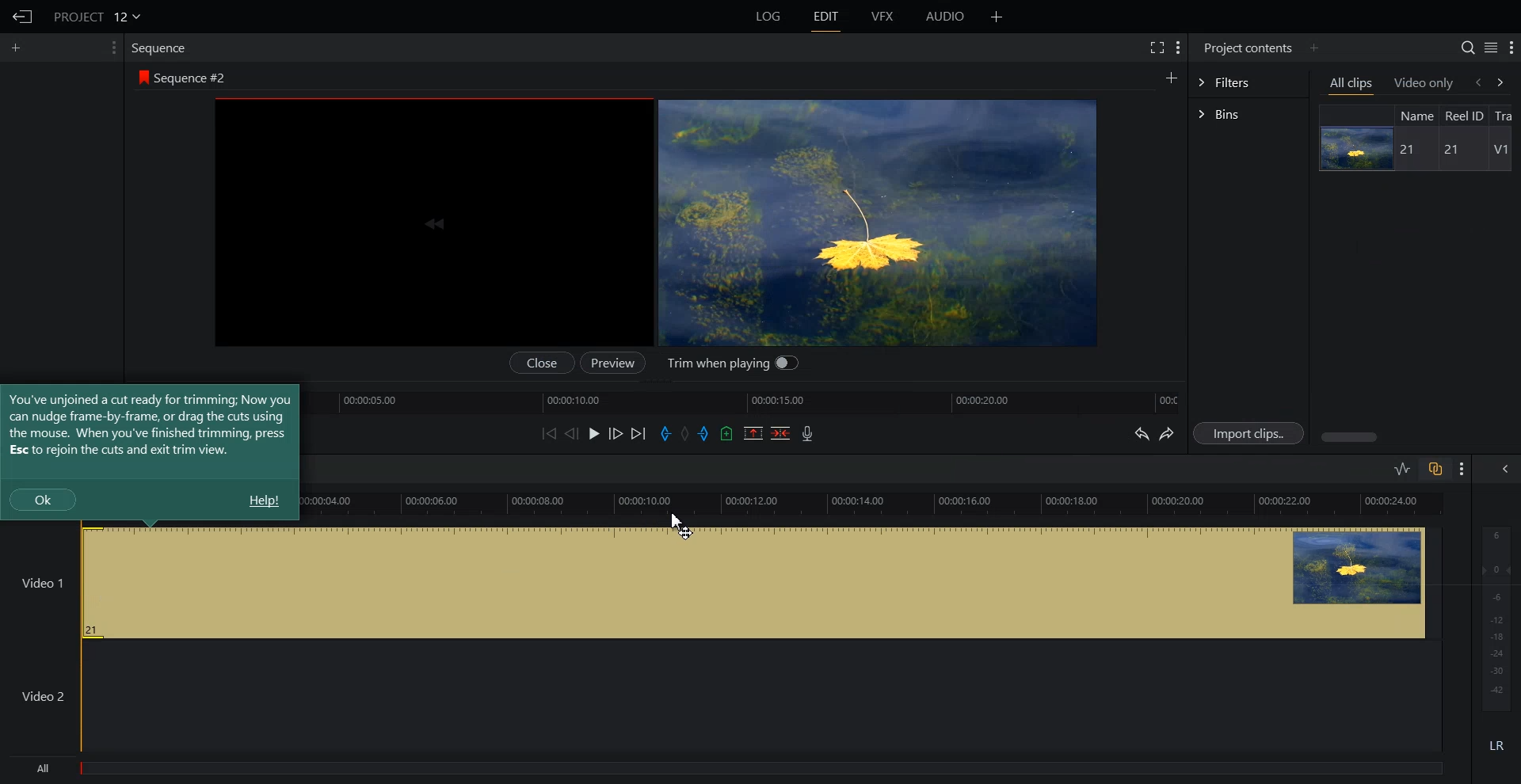  Describe the element at coordinates (726, 433) in the screenshot. I see `Add an Cue at the current position` at that location.